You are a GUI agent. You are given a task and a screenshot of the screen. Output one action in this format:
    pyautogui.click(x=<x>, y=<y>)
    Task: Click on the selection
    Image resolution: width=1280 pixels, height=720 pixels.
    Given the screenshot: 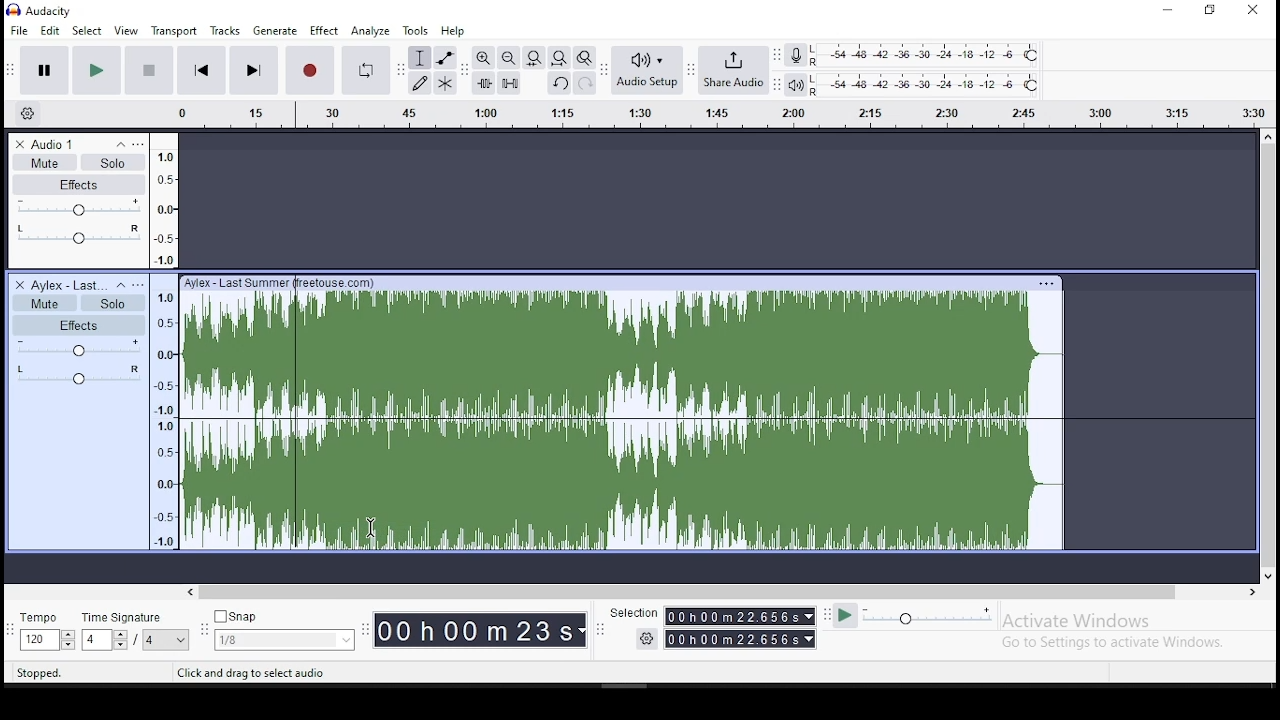 What is the action you would take?
    pyautogui.click(x=710, y=625)
    